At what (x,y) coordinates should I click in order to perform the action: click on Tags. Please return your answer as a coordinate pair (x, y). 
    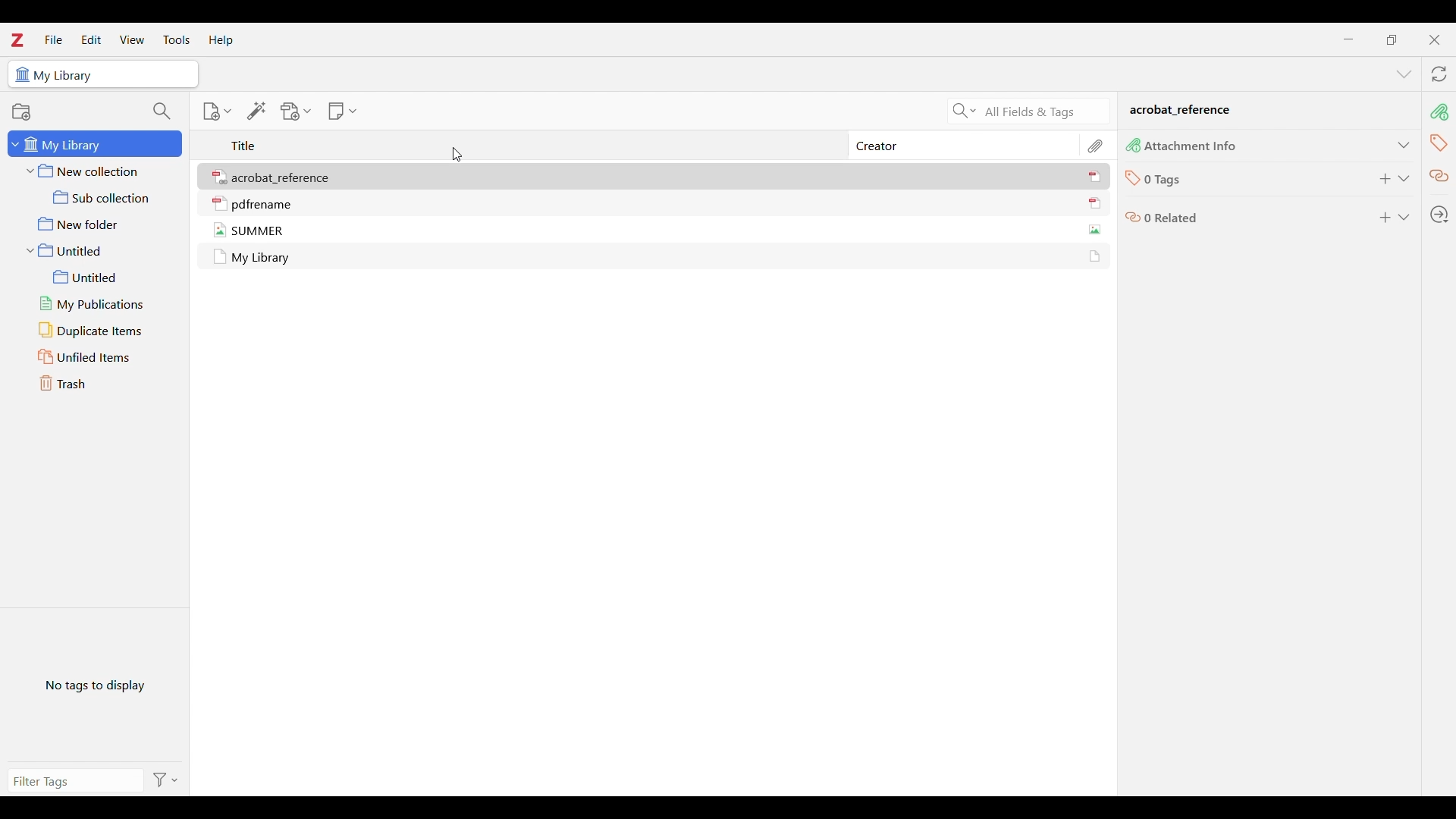
    Looking at the image, I should click on (1439, 143).